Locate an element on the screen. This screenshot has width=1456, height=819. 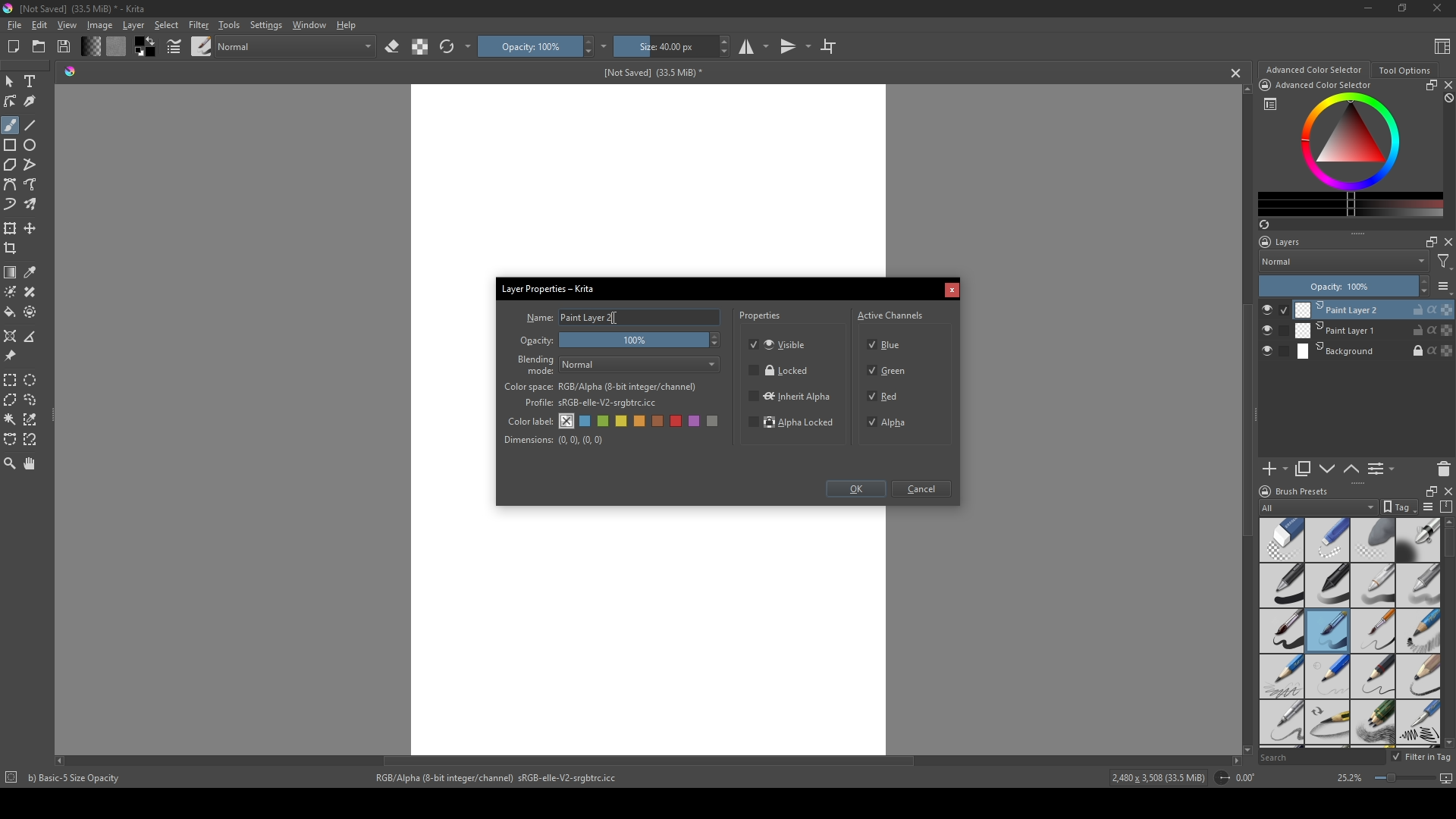
Opacity: 100% is located at coordinates (1335, 287).